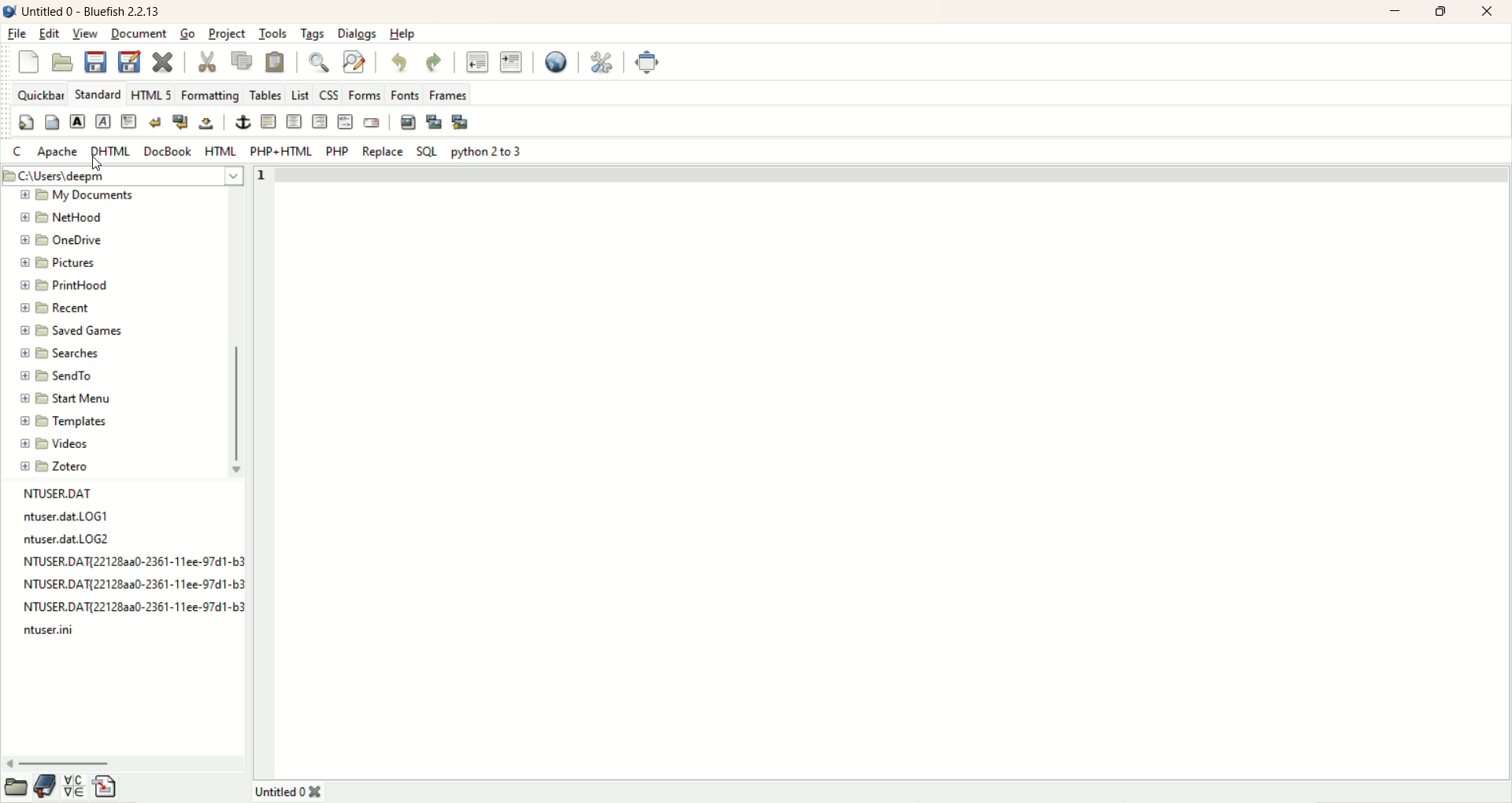 The image size is (1512, 803). What do you see at coordinates (920, 790) in the screenshot?
I see `statusbar` at bounding box center [920, 790].